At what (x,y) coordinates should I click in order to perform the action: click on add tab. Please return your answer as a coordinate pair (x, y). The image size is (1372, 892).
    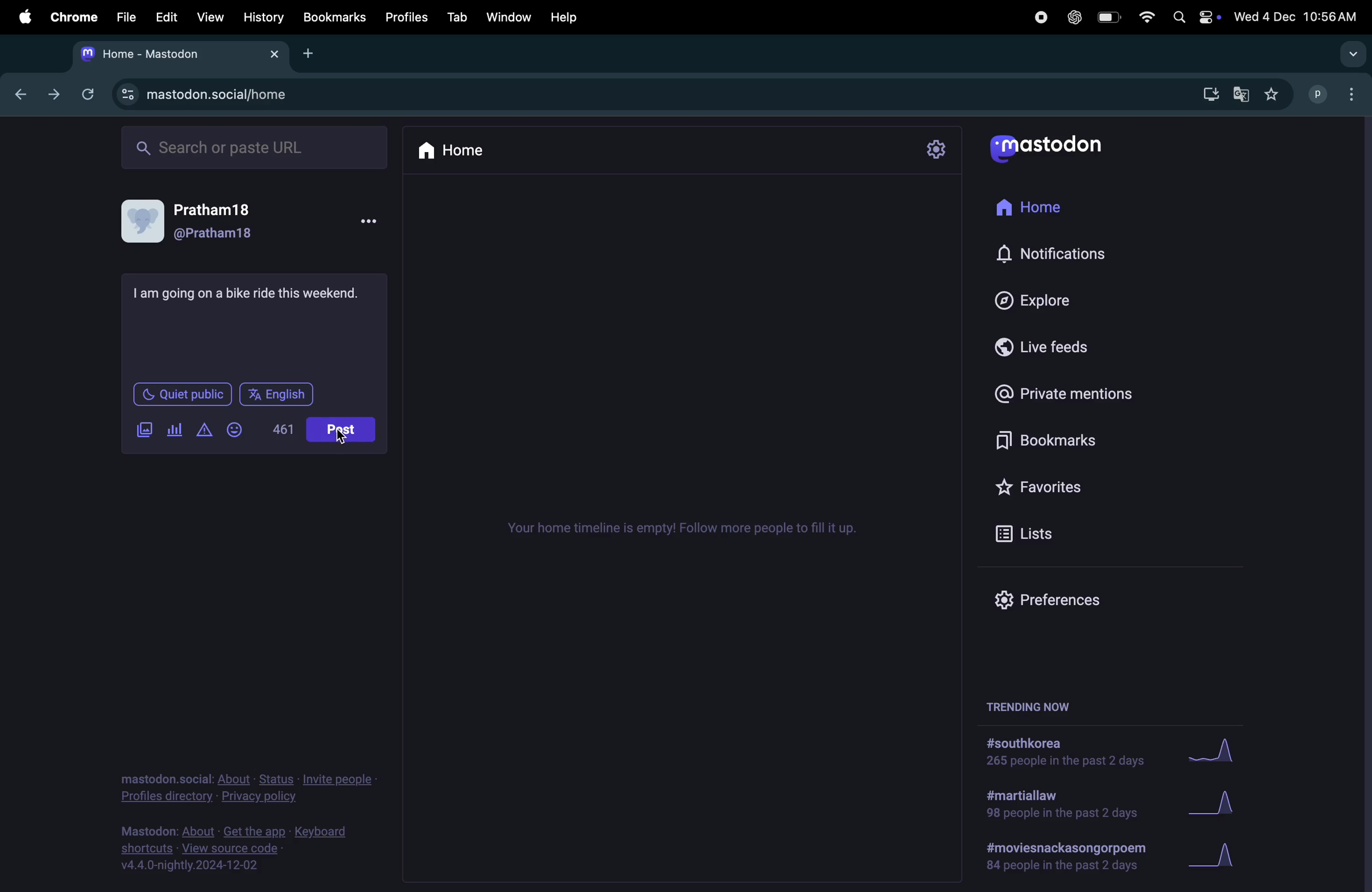
    Looking at the image, I should click on (315, 52).